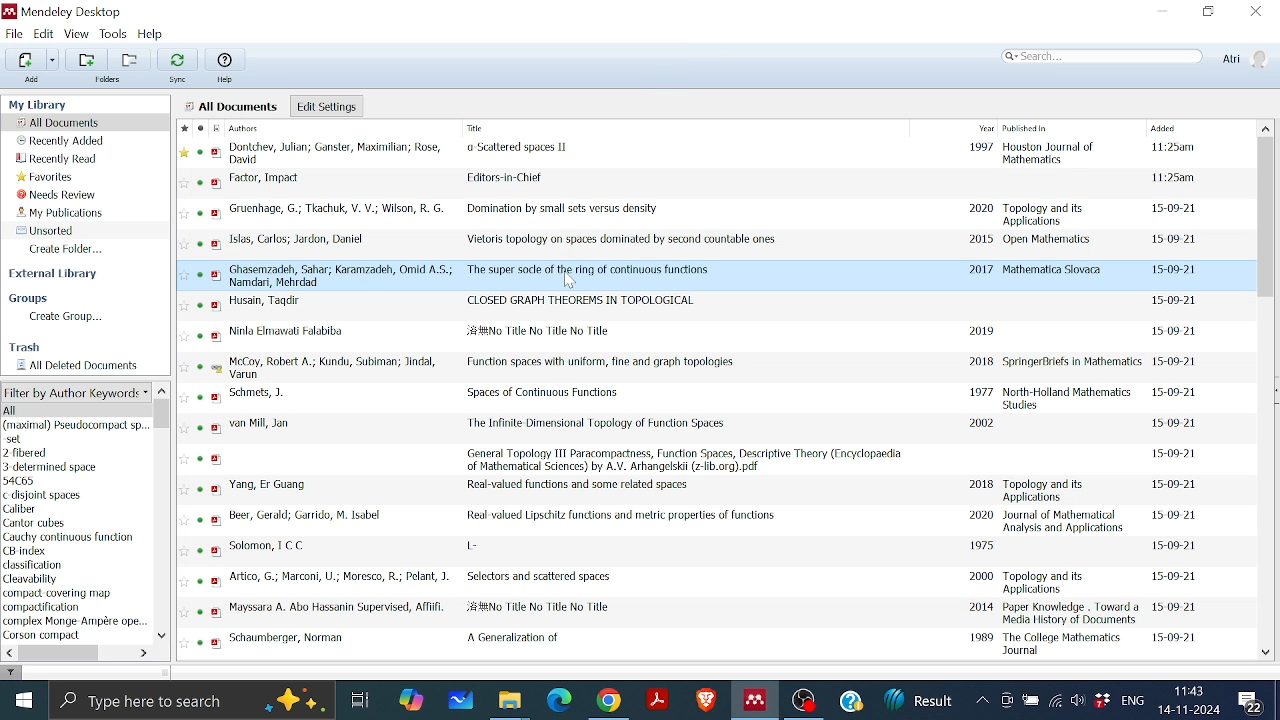 The height and width of the screenshot is (720, 1280). What do you see at coordinates (1253, 11) in the screenshot?
I see `Close window` at bounding box center [1253, 11].